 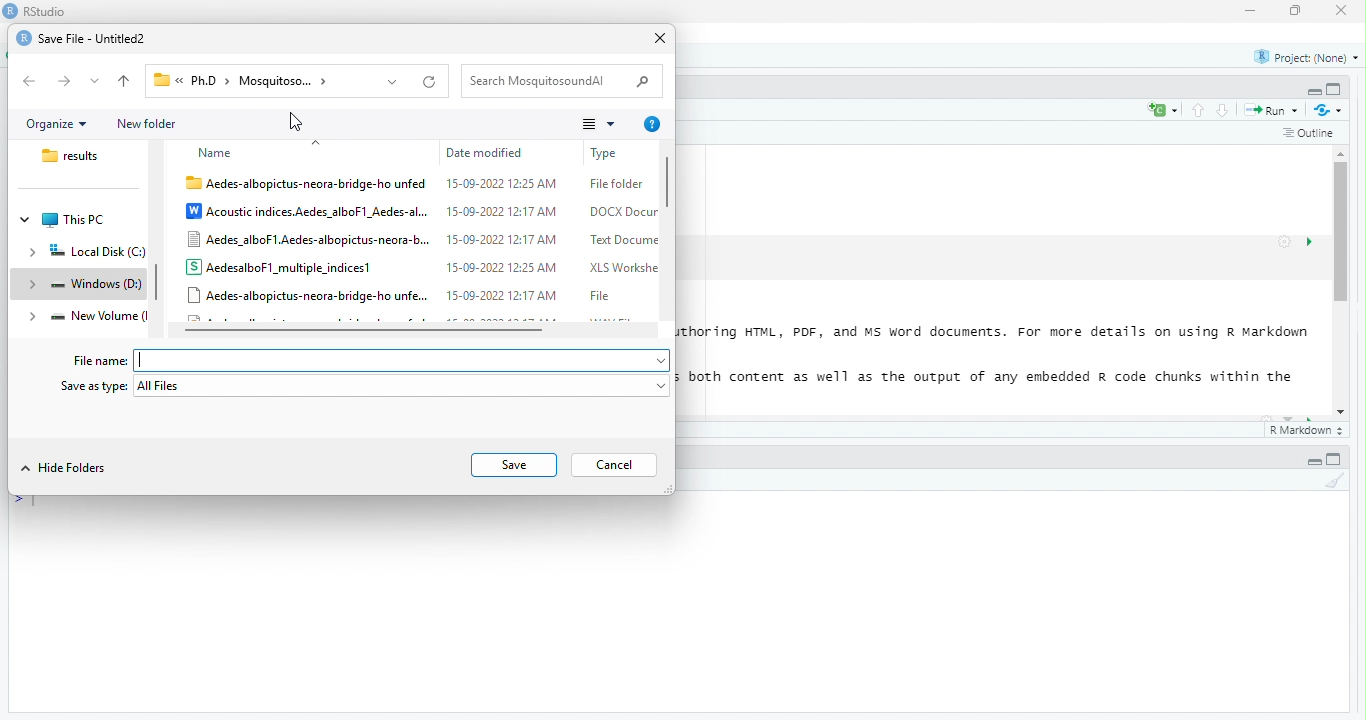 What do you see at coordinates (394, 386) in the screenshot?
I see `All Files` at bounding box center [394, 386].